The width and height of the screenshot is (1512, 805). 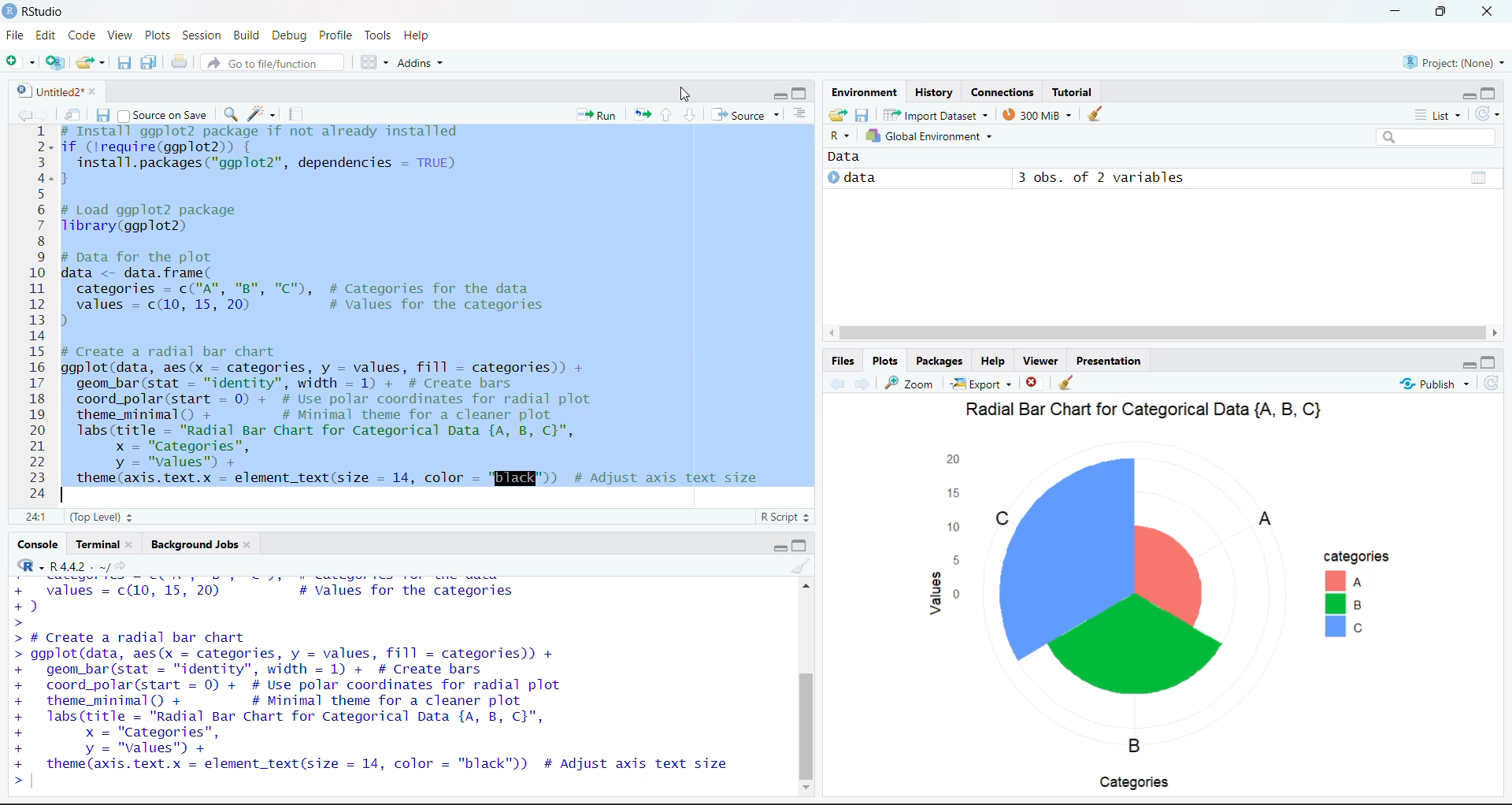 What do you see at coordinates (1469, 362) in the screenshot?
I see `hide r script` at bounding box center [1469, 362].